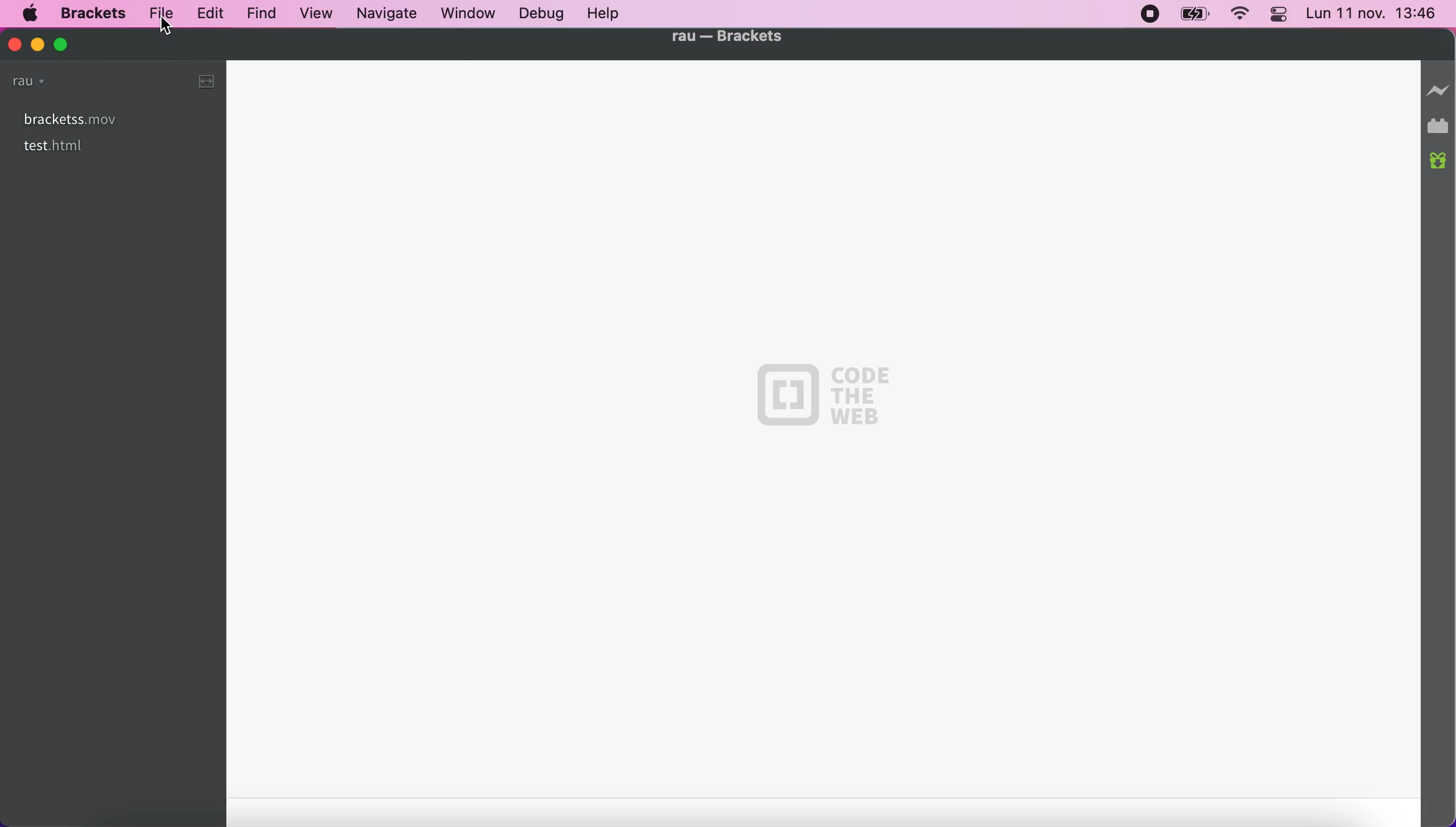 Image resolution: width=1456 pixels, height=827 pixels. Describe the element at coordinates (158, 13) in the screenshot. I see `file` at that location.